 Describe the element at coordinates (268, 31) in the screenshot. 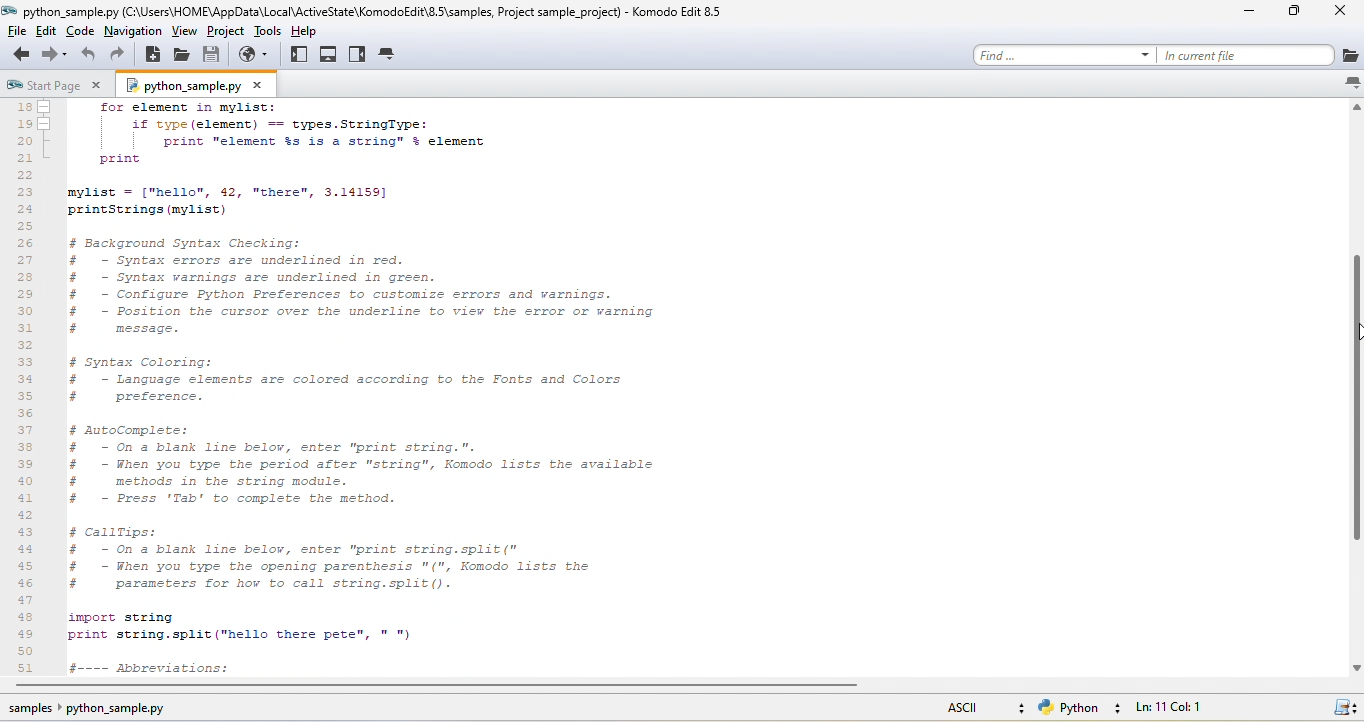

I see `tools` at that location.